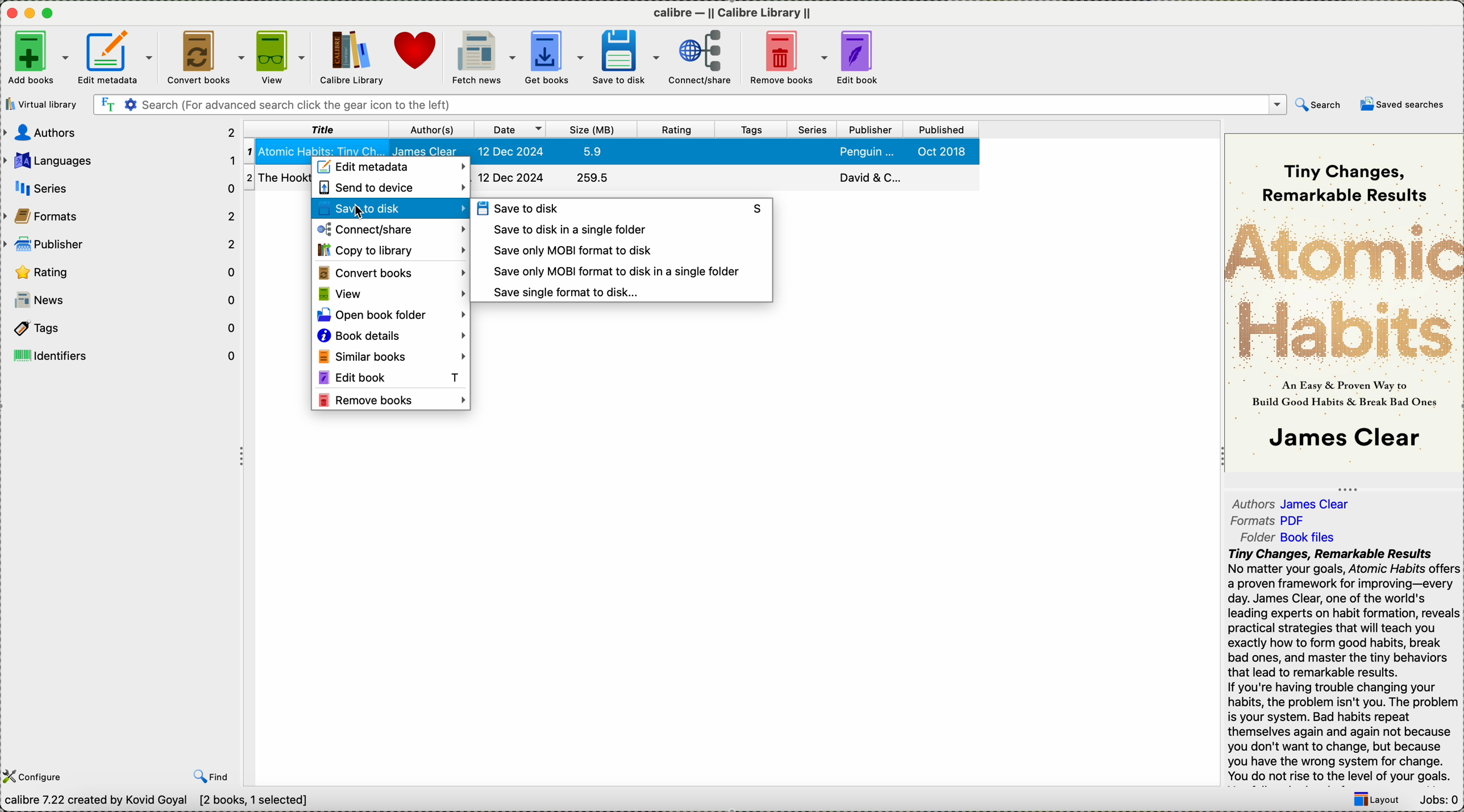 The height and width of the screenshot is (812, 1464). I want to click on edit book, so click(859, 59).